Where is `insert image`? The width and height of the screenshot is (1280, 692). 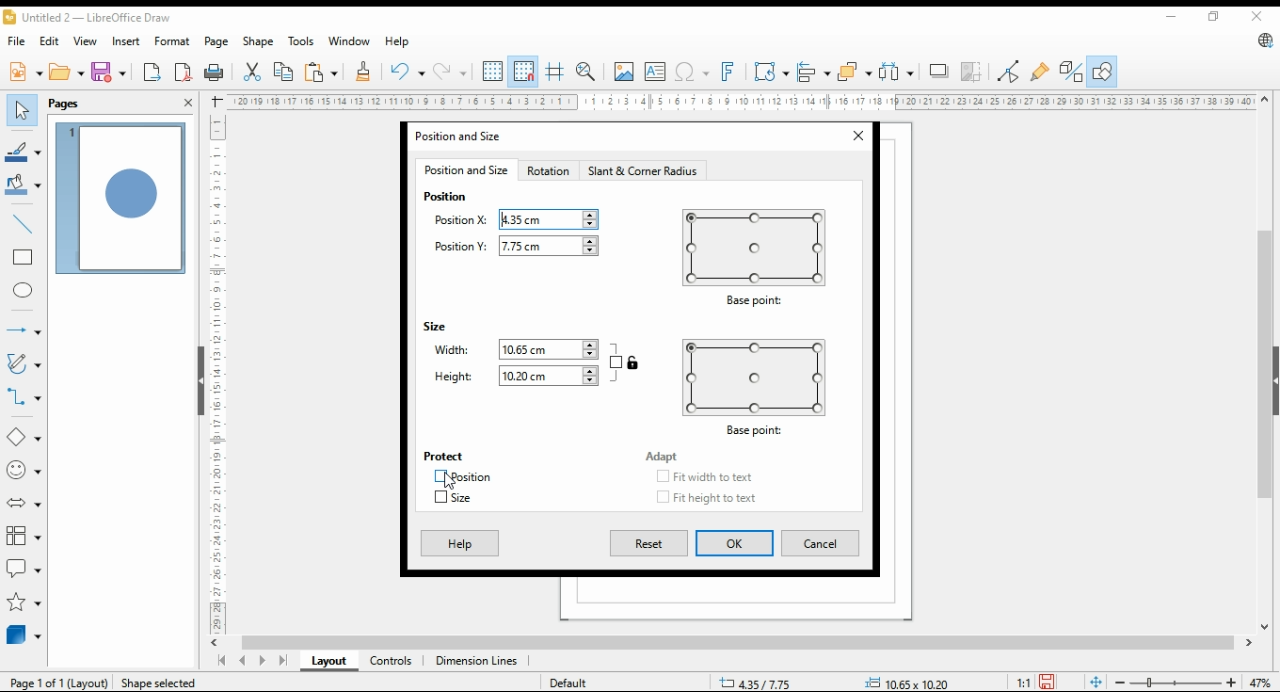 insert image is located at coordinates (624, 71).